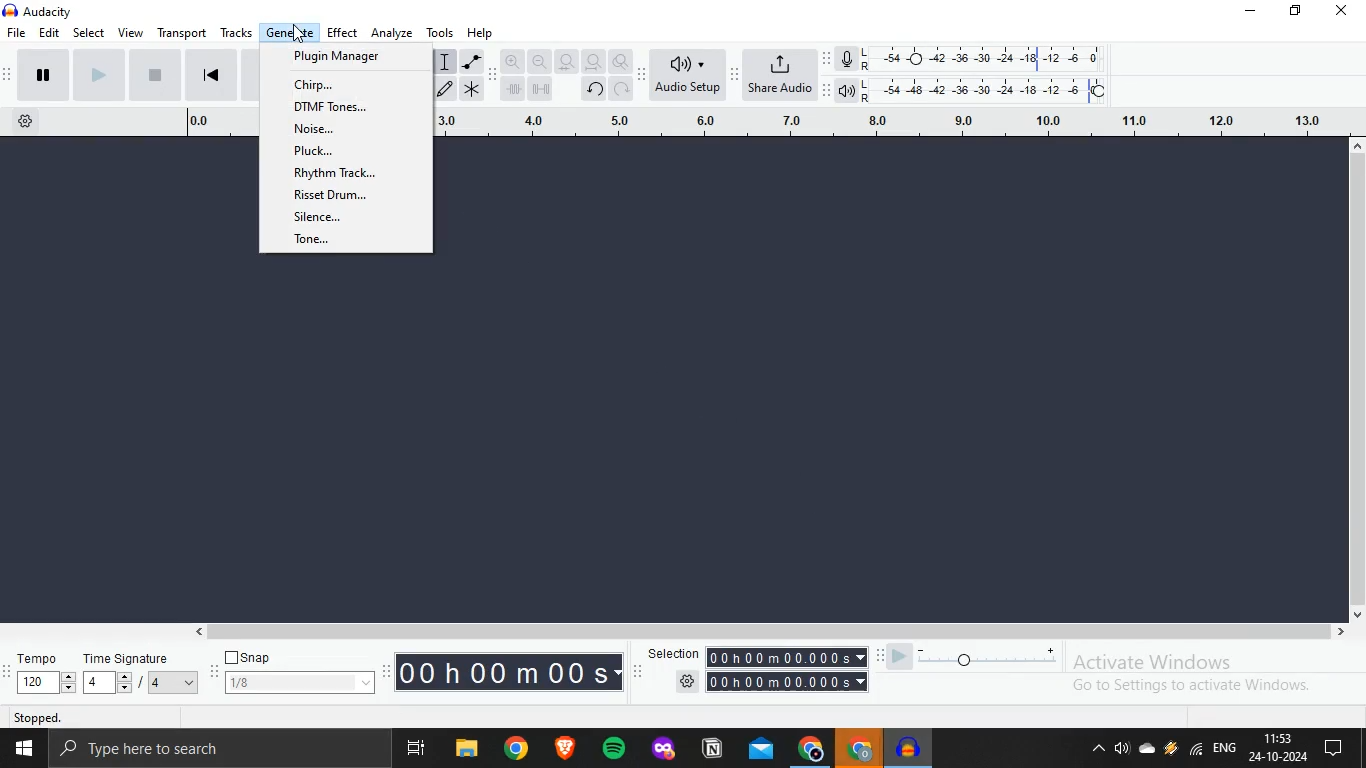 Image resolution: width=1366 pixels, height=768 pixels. What do you see at coordinates (22, 749) in the screenshot?
I see `Window` at bounding box center [22, 749].